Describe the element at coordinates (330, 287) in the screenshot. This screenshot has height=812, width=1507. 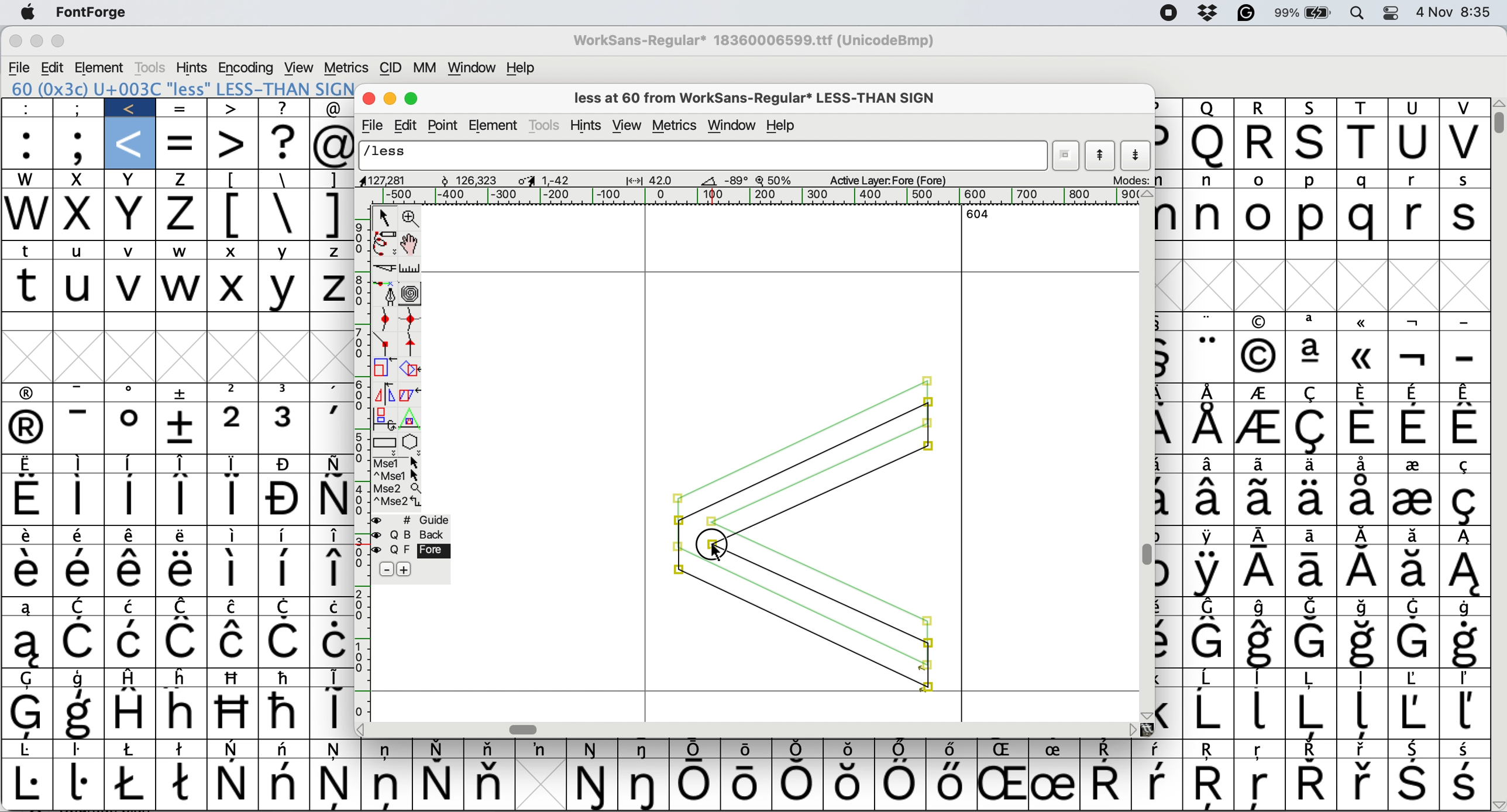
I see `Z` at that location.